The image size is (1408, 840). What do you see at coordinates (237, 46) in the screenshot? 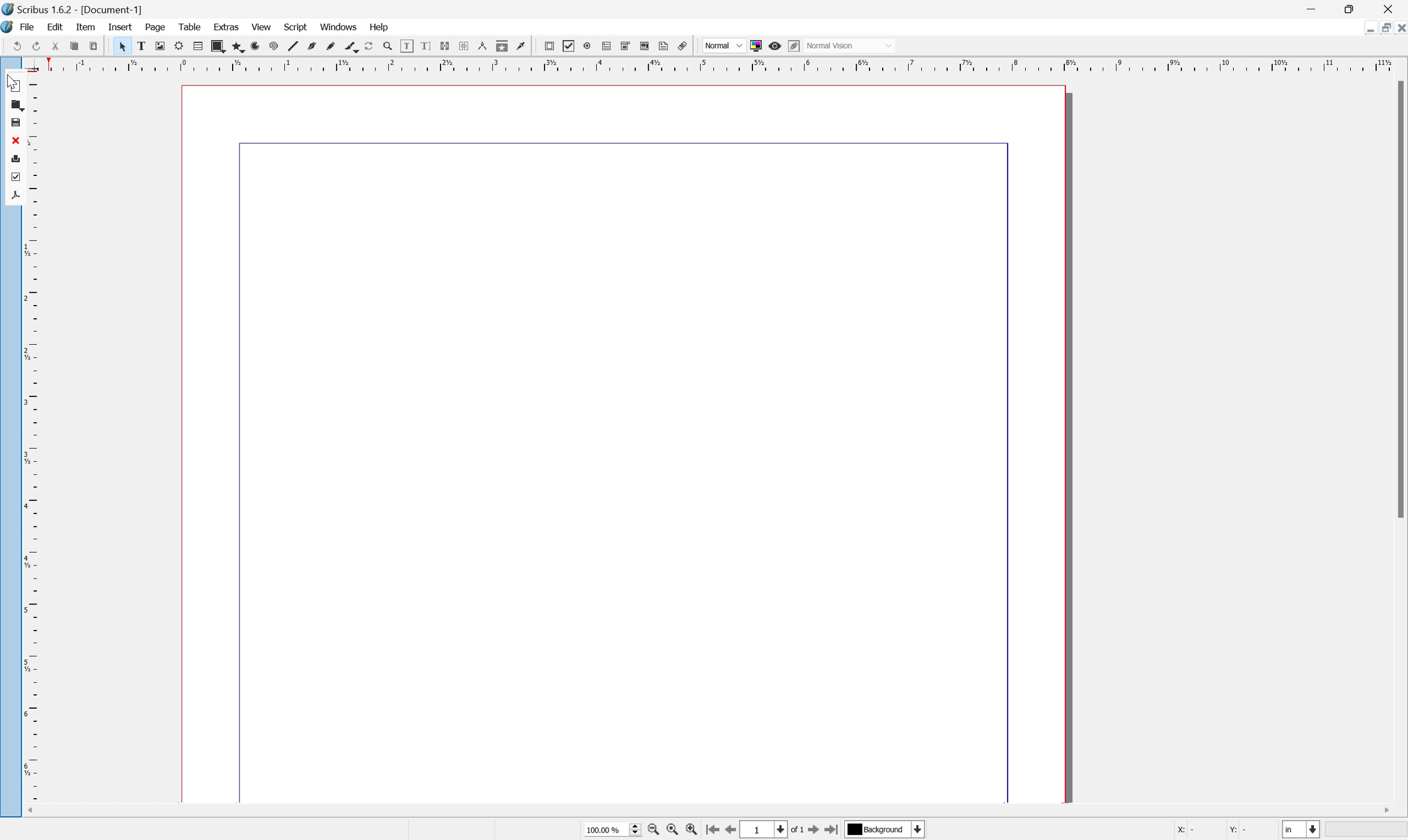
I see `preflight verifier` at bounding box center [237, 46].